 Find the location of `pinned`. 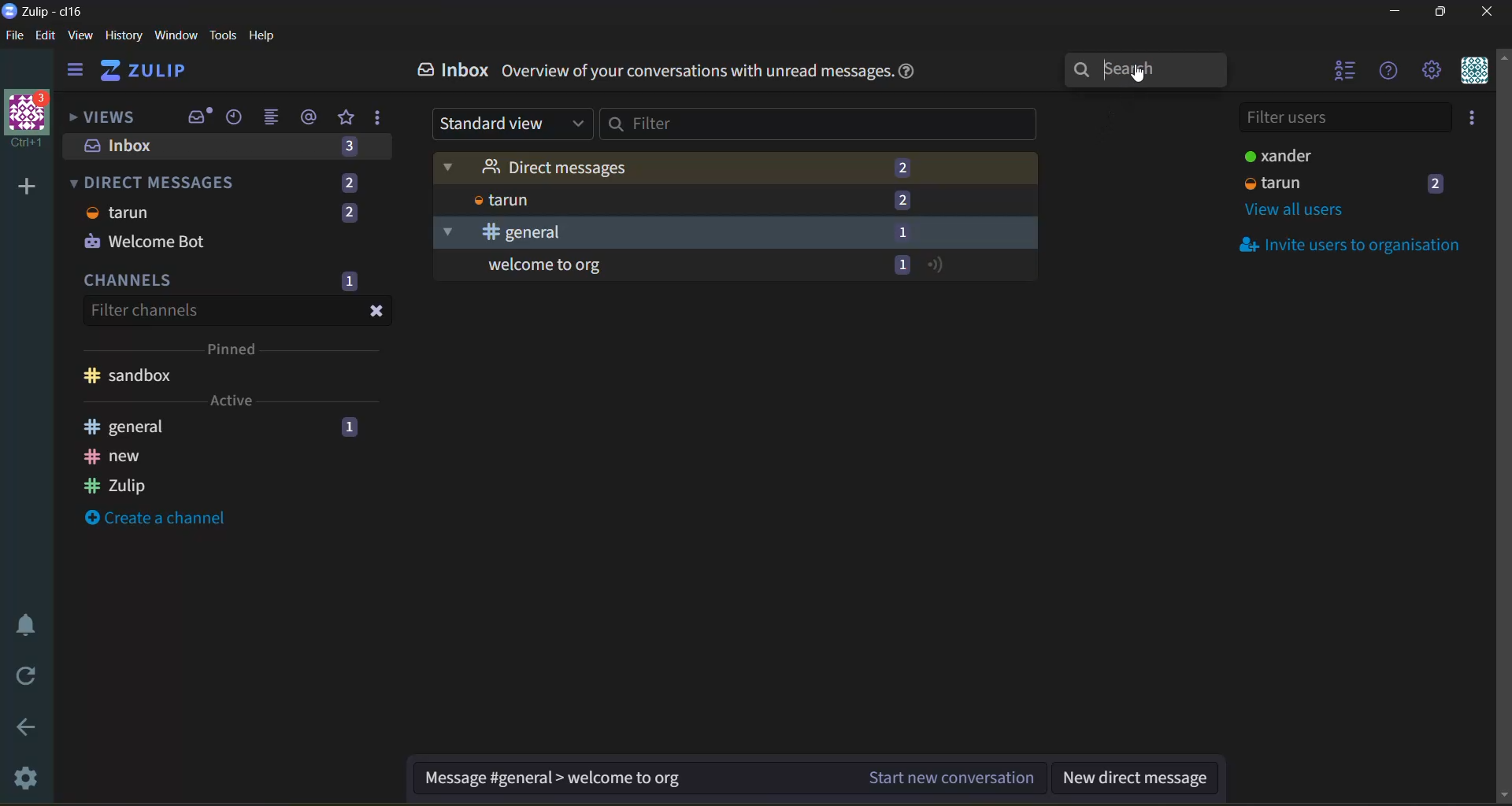

pinned is located at coordinates (236, 347).